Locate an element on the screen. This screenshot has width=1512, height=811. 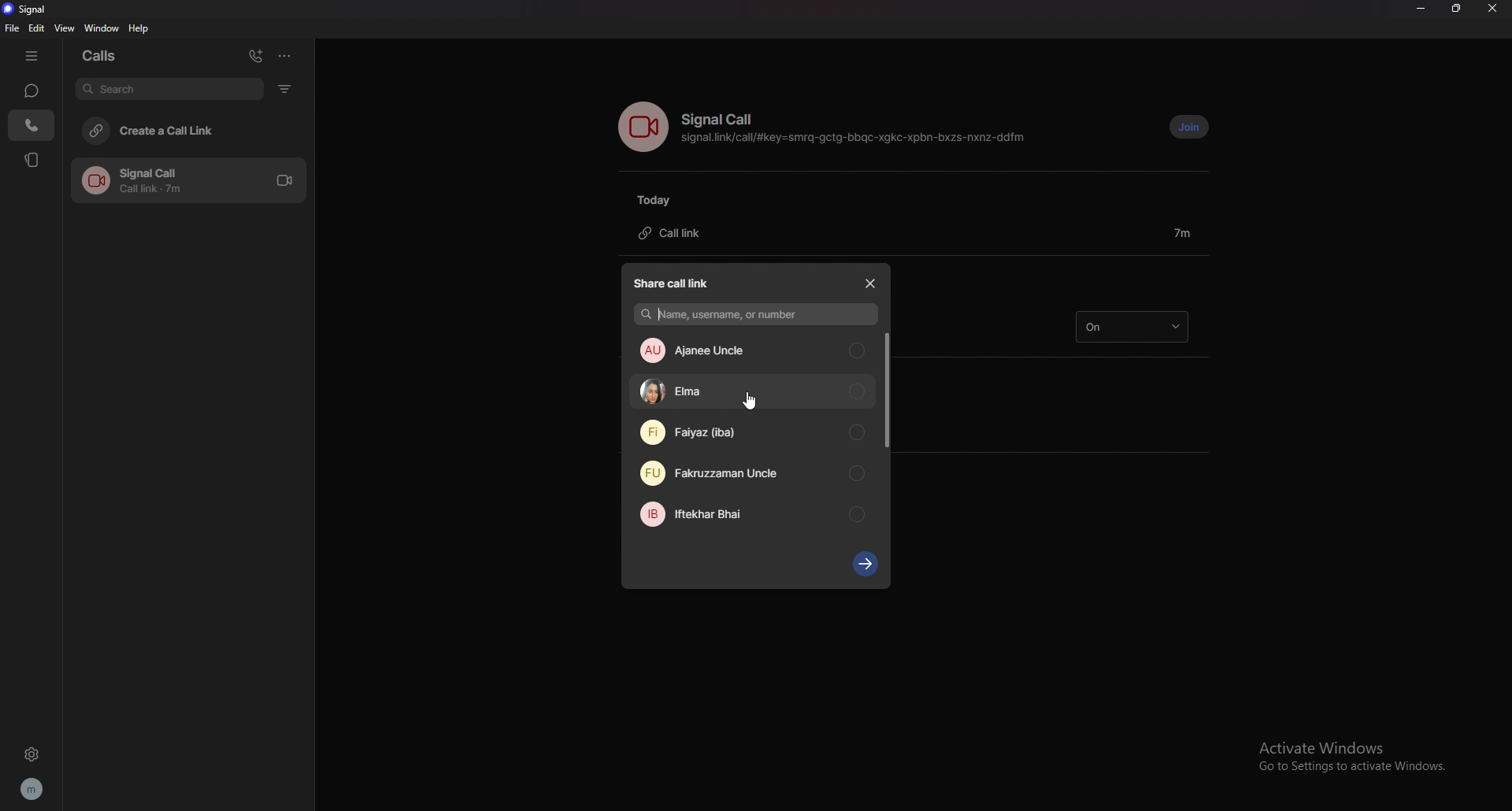
calls is located at coordinates (108, 56).